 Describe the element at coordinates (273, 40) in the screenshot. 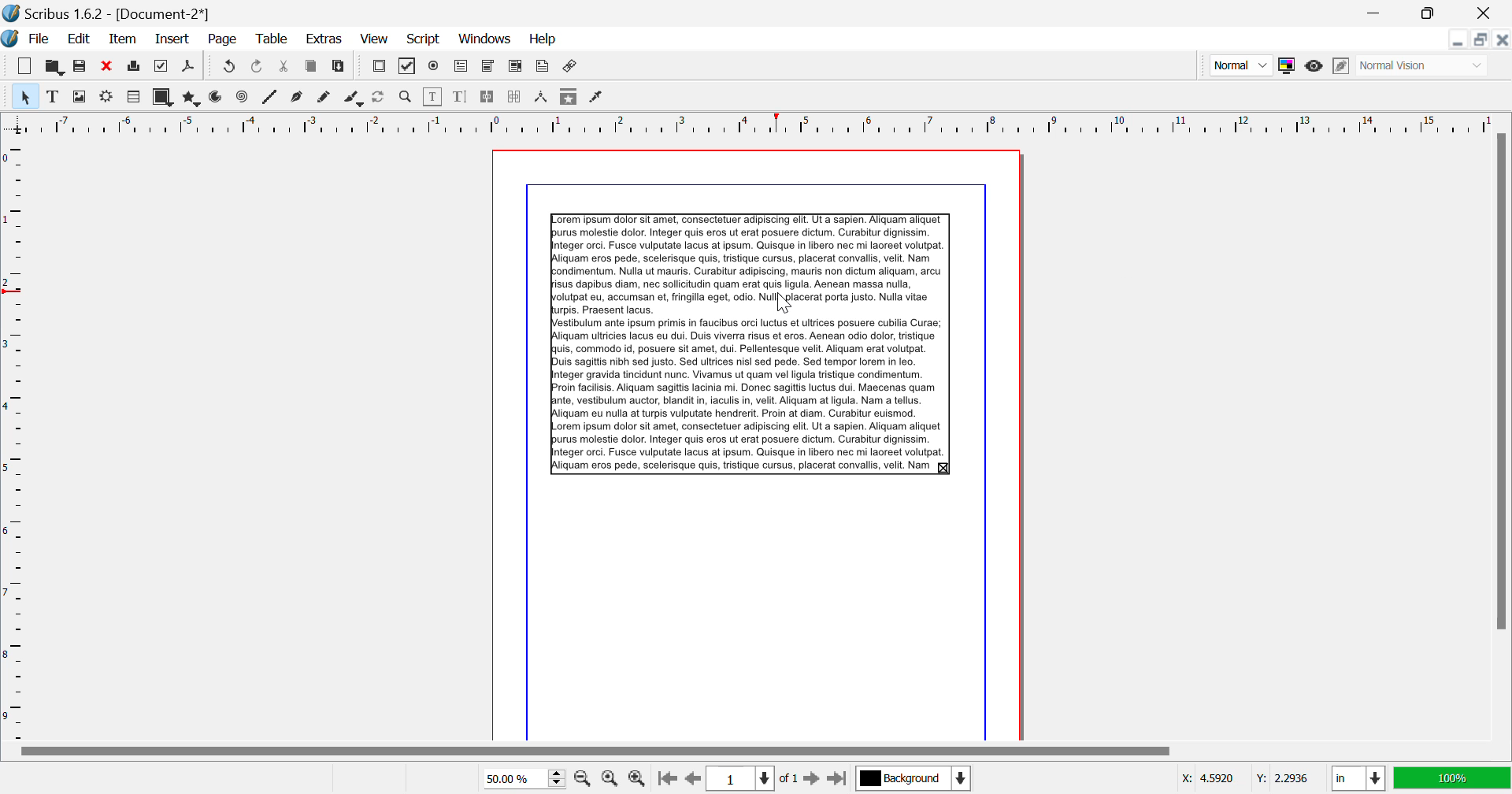

I see `Table` at that location.